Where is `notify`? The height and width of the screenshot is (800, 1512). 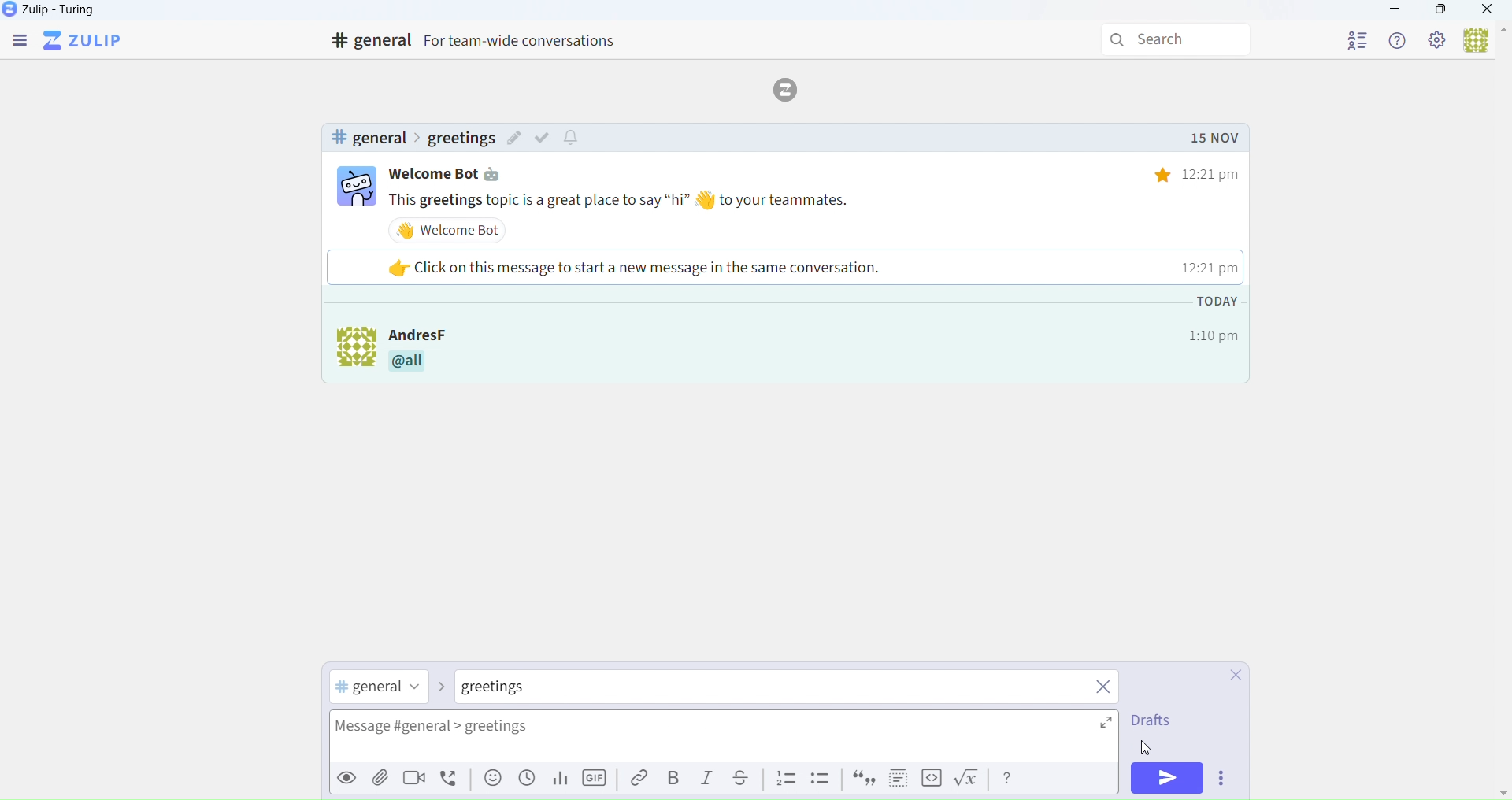 notify is located at coordinates (573, 139).